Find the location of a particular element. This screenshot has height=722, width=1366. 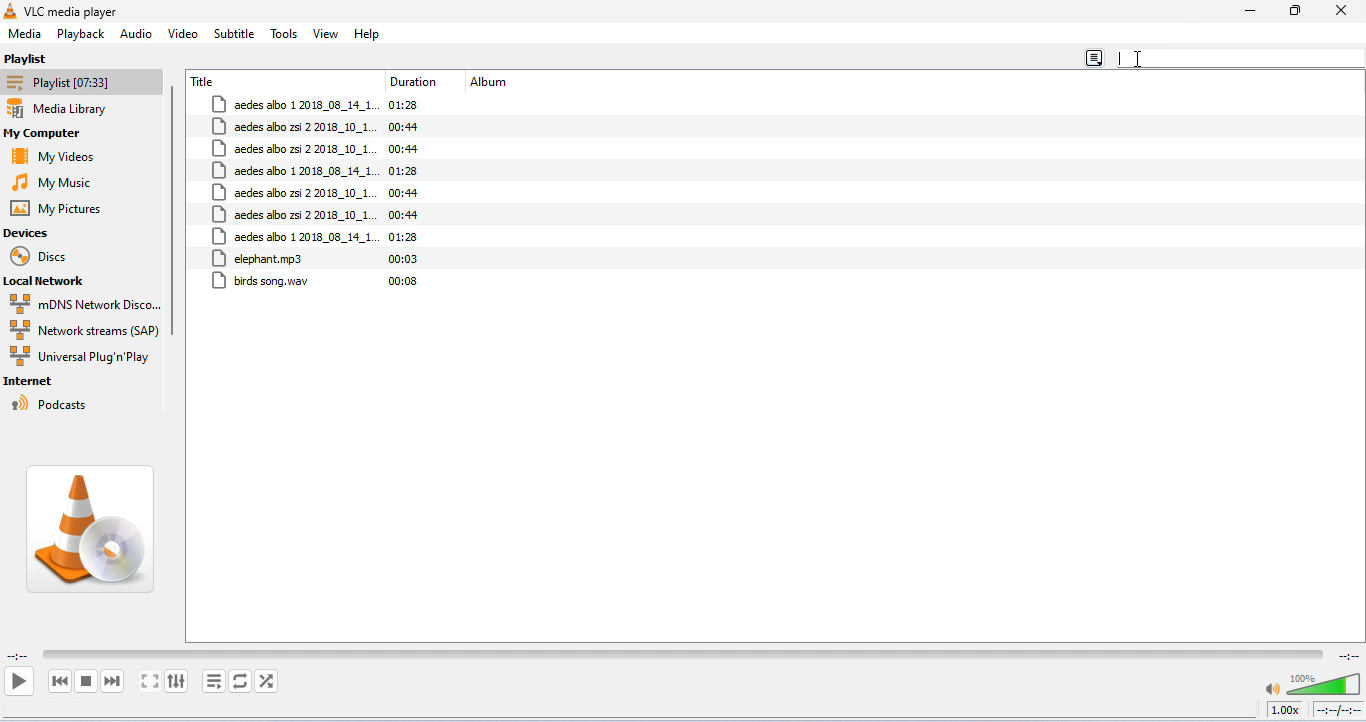

Search is located at coordinates (1241, 58).